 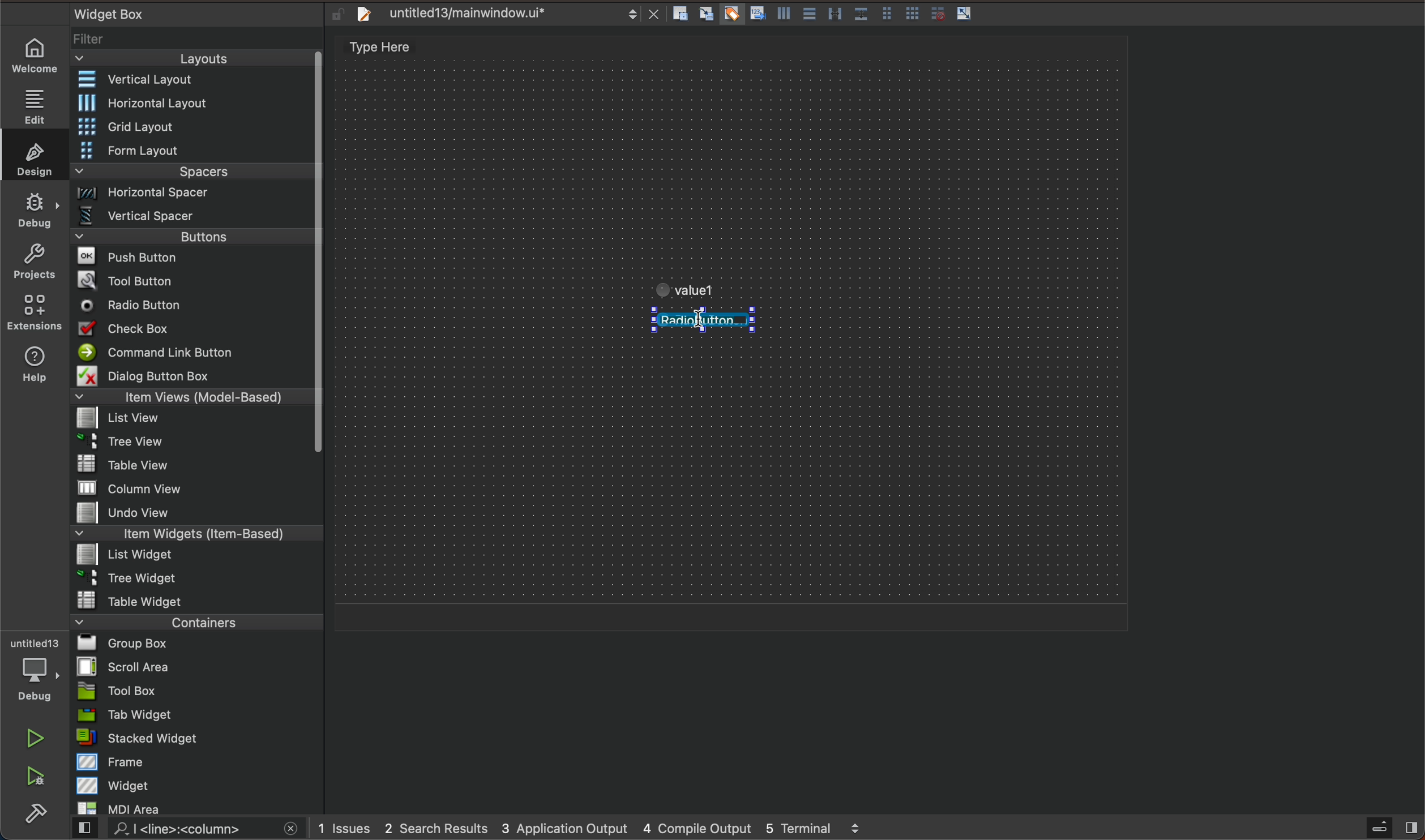 What do you see at coordinates (194, 152) in the screenshot?
I see `` at bounding box center [194, 152].